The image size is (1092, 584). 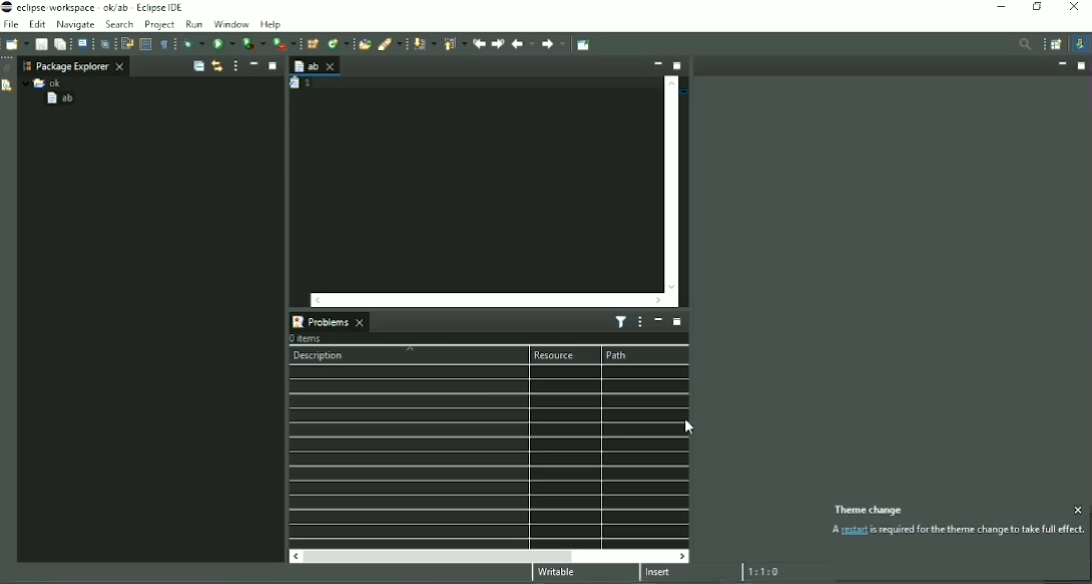 I want to click on Insert, so click(x=667, y=574).